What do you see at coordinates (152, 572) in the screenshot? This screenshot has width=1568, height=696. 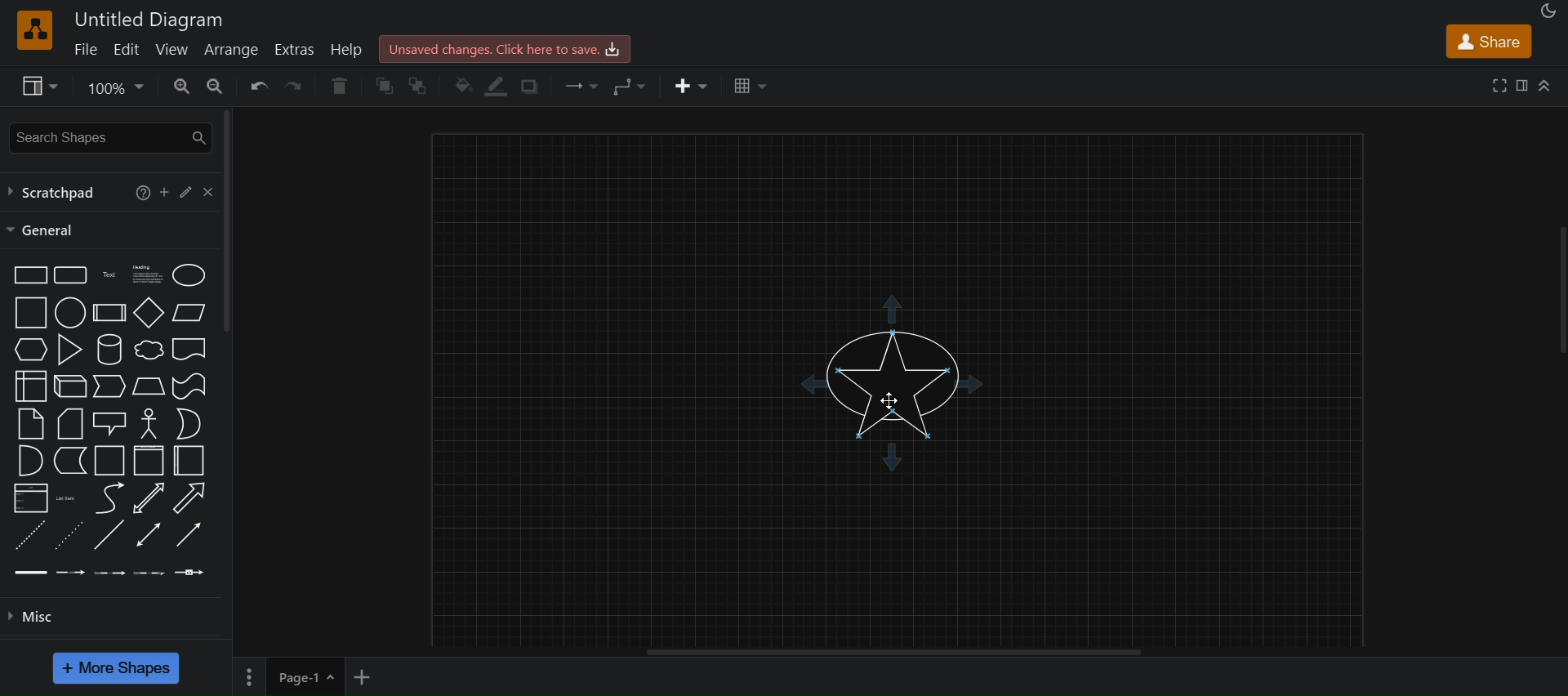 I see `connetor with 3 lable` at bounding box center [152, 572].